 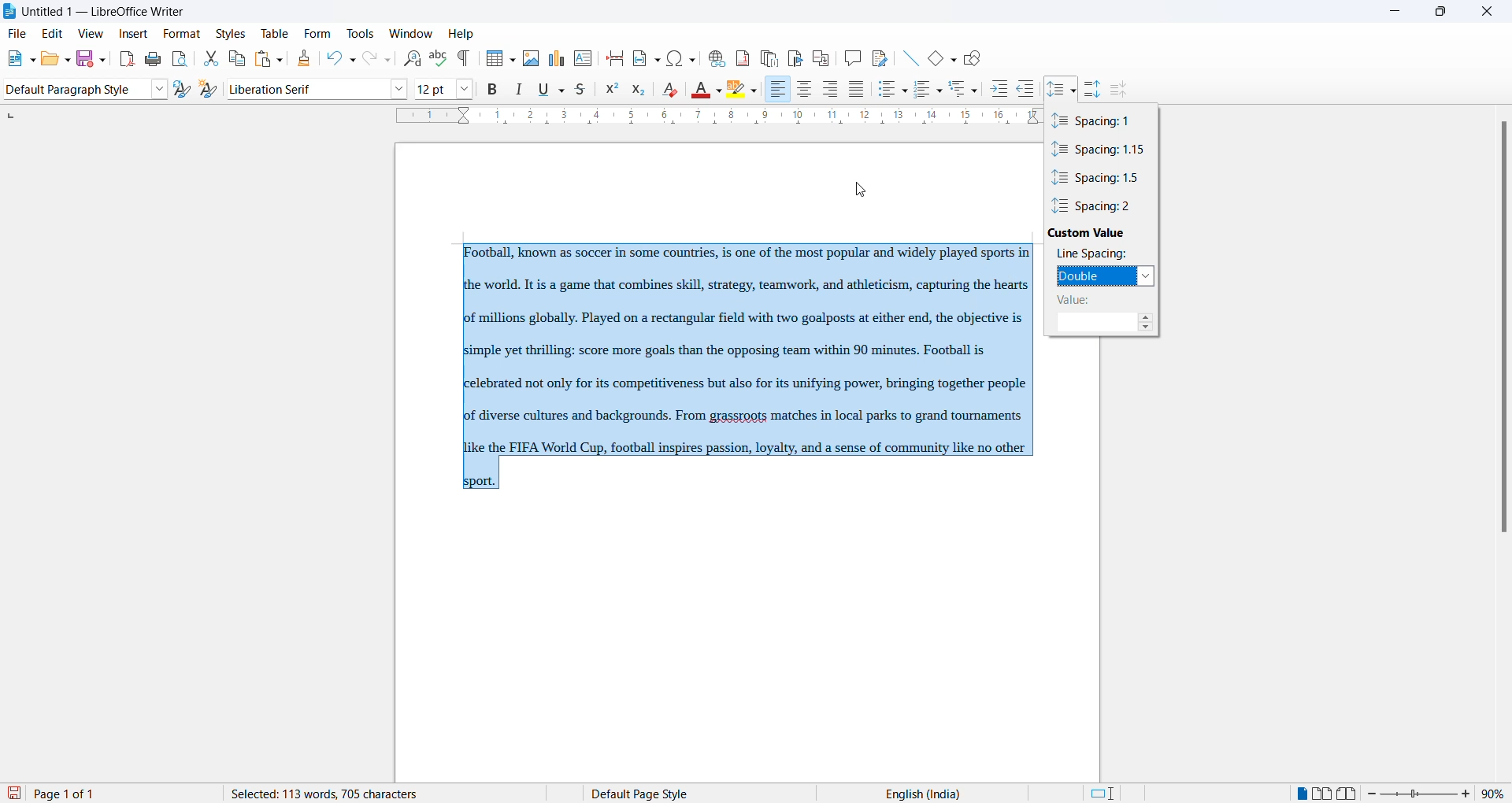 I want to click on insert comments, so click(x=854, y=58).